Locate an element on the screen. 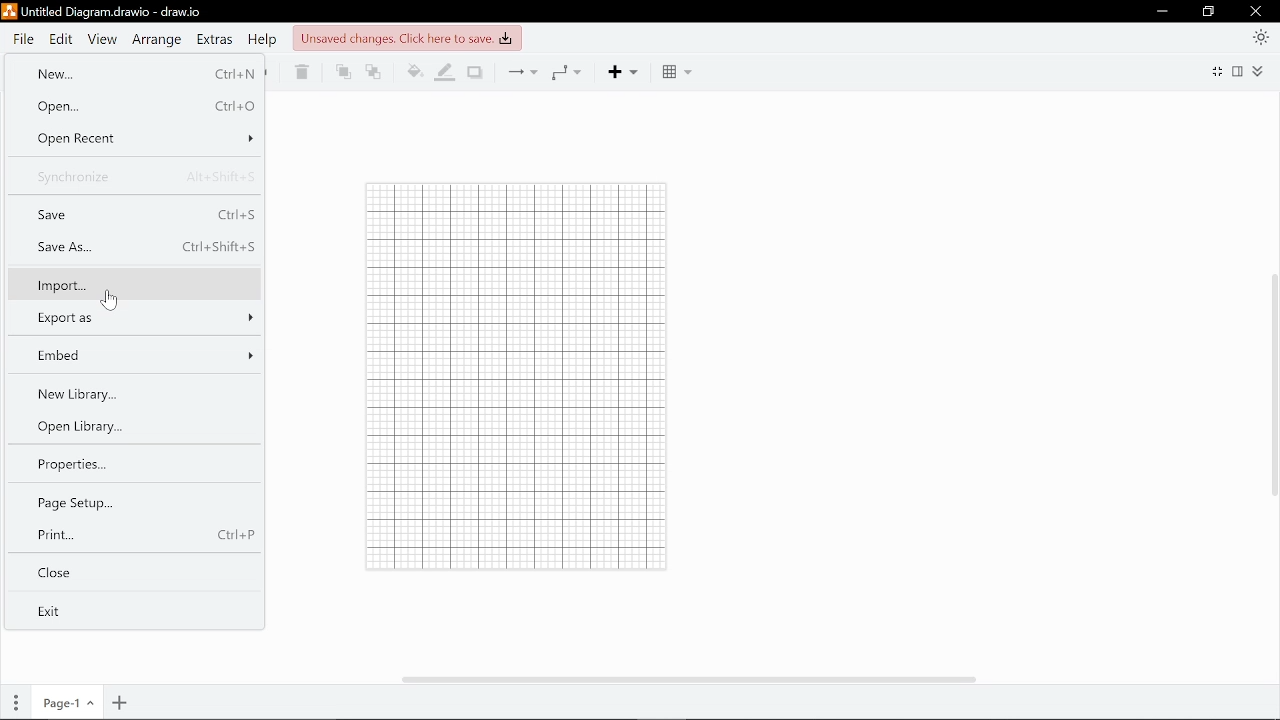  Vertical scrollbar is located at coordinates (1272, 385).